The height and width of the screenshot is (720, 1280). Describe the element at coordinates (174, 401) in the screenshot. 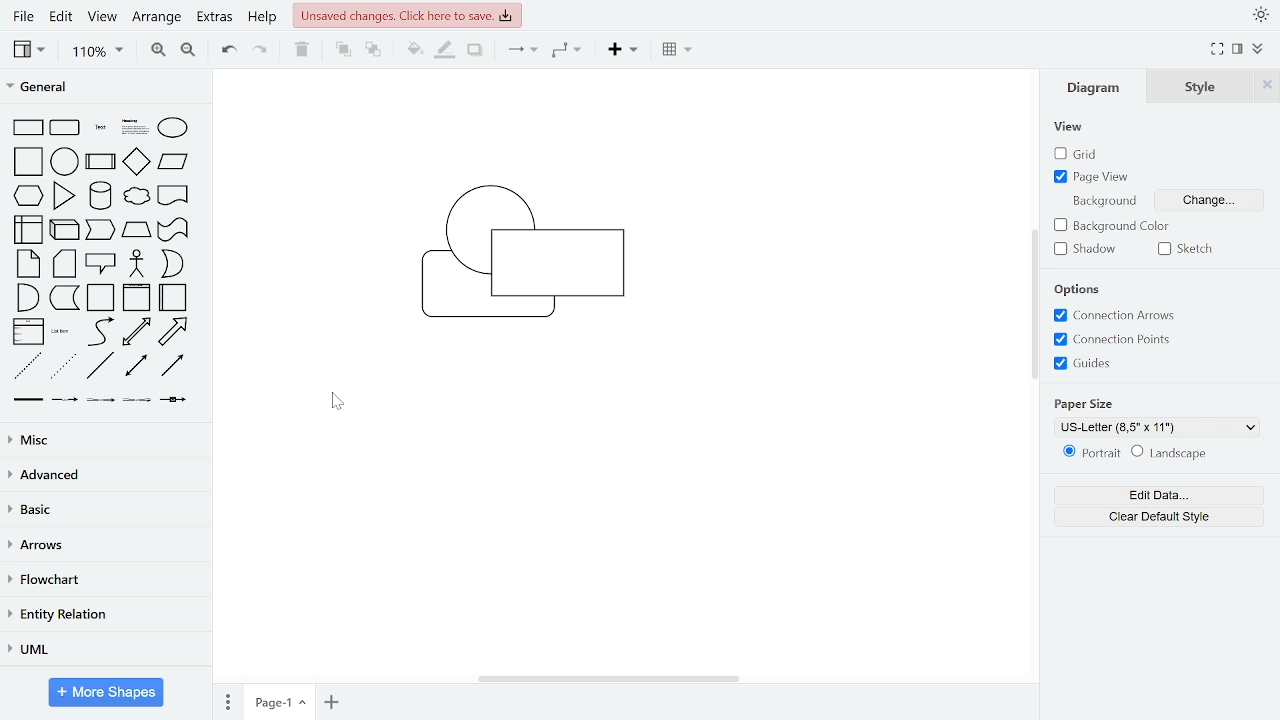

I see `connector with symbol` at that location.